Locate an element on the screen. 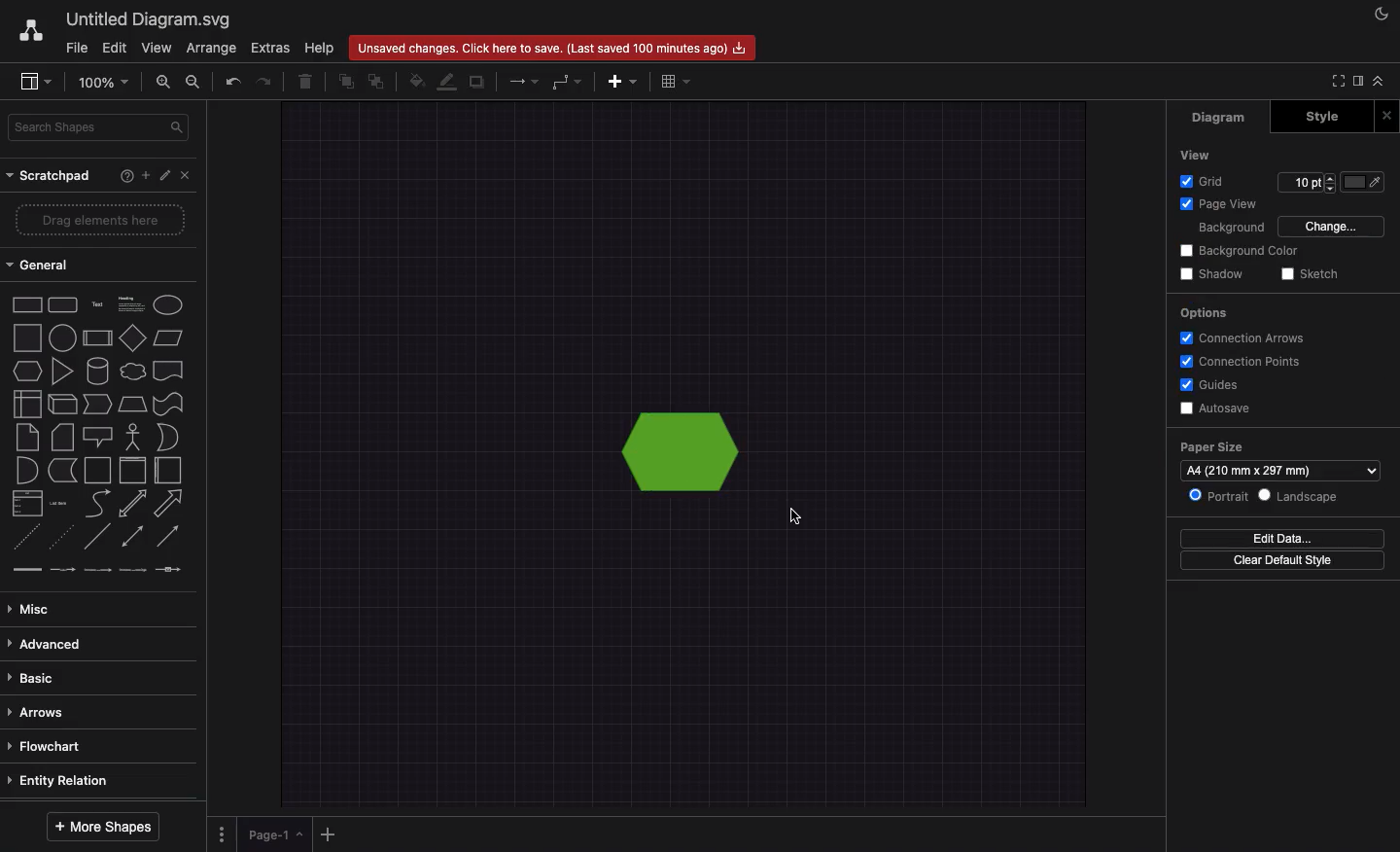 The image size is (1400, 852). Misc is located at coordinates (36, 611).